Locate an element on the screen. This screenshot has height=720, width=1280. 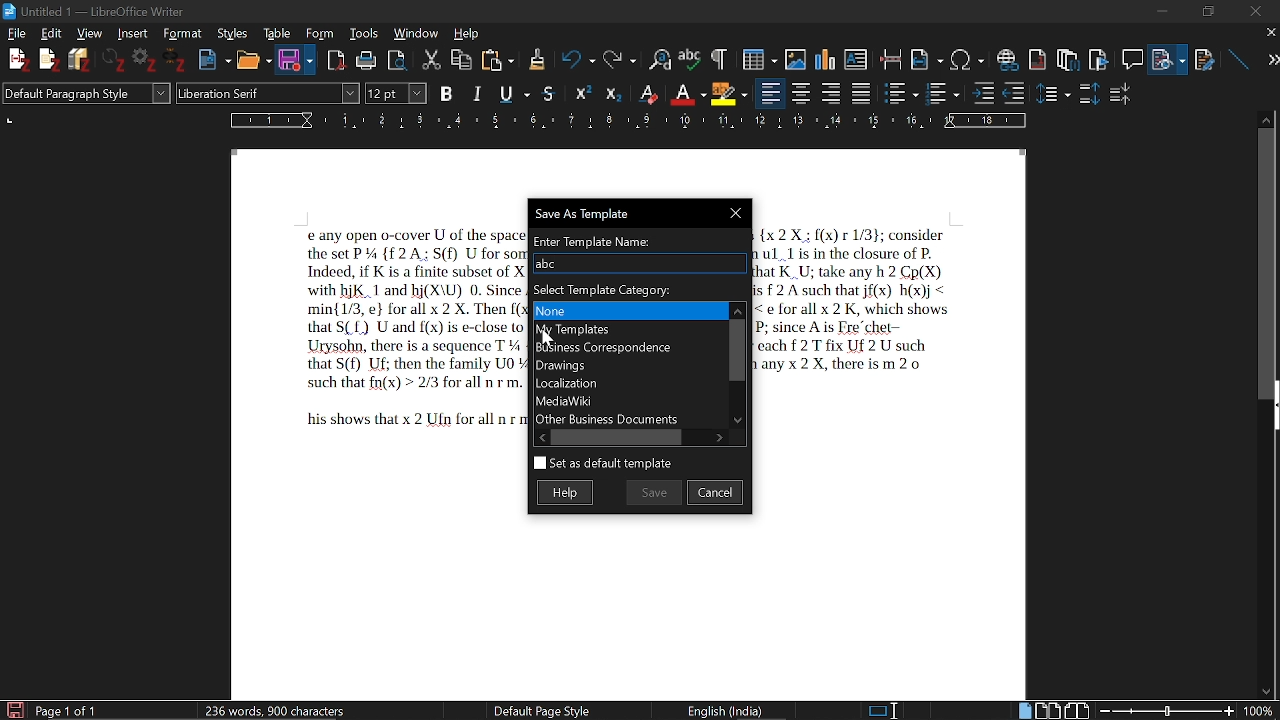
Copy is located at coordinates (463, 58).